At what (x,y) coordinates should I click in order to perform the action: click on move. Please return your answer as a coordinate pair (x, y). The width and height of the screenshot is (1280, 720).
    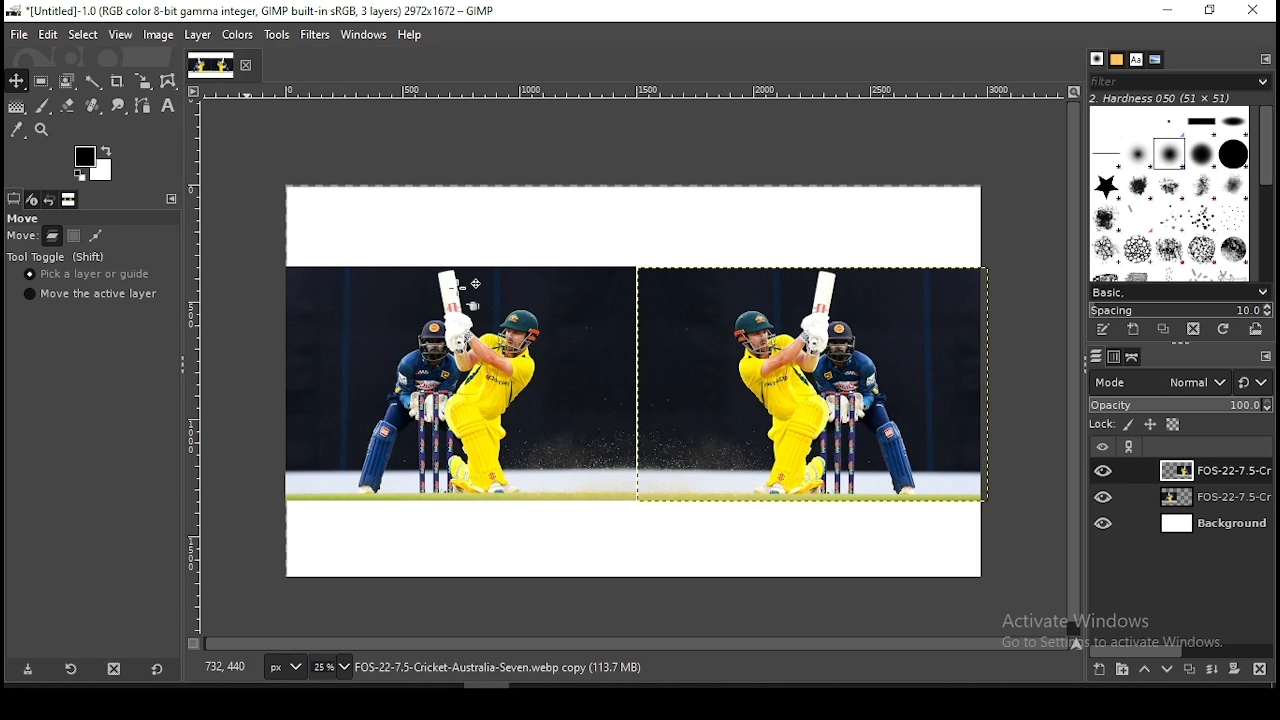
    Looking at the image, I should click on (25, 219).